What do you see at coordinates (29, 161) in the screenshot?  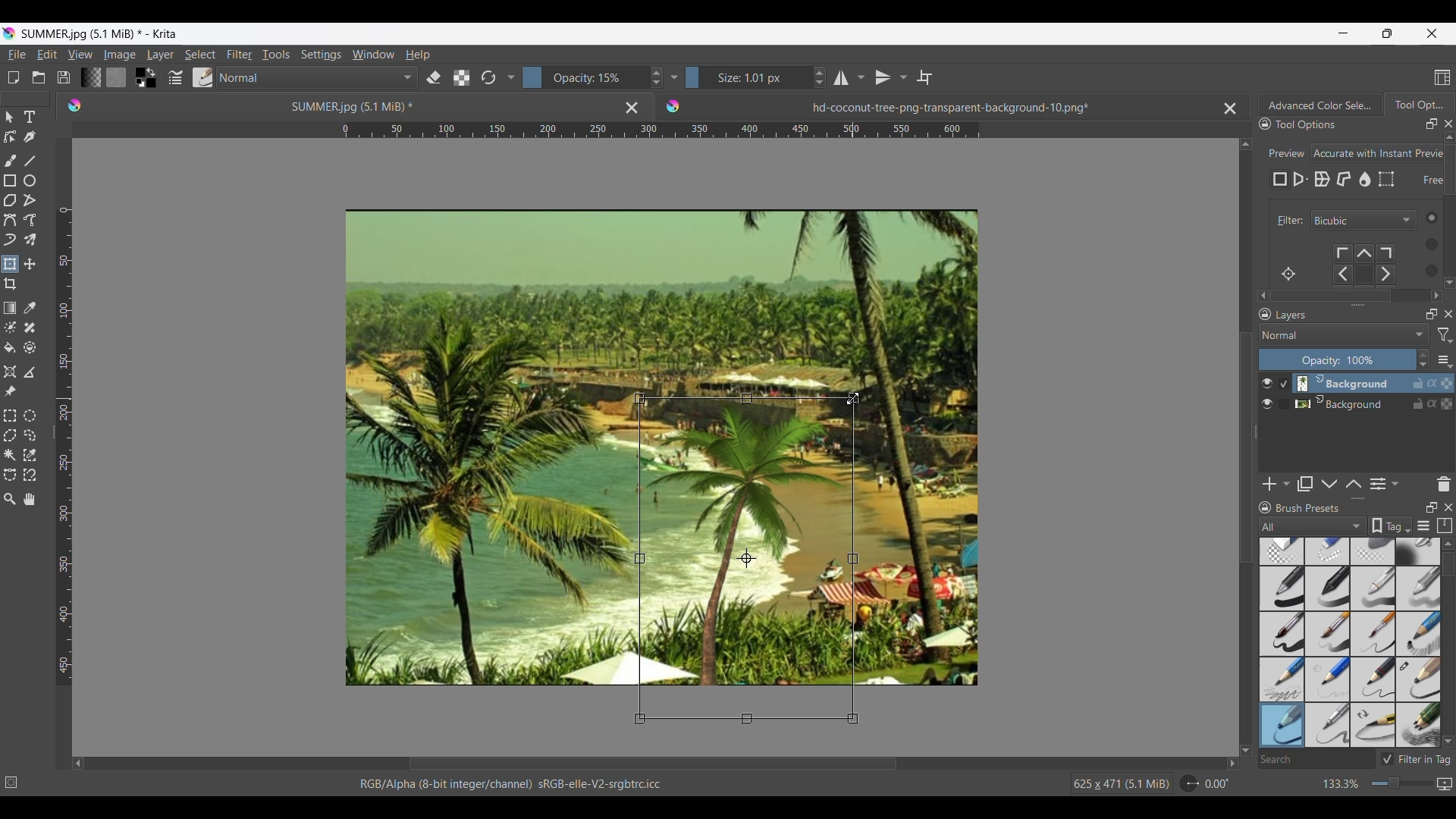 I see `Line tool` at bounding box center [29, 161].